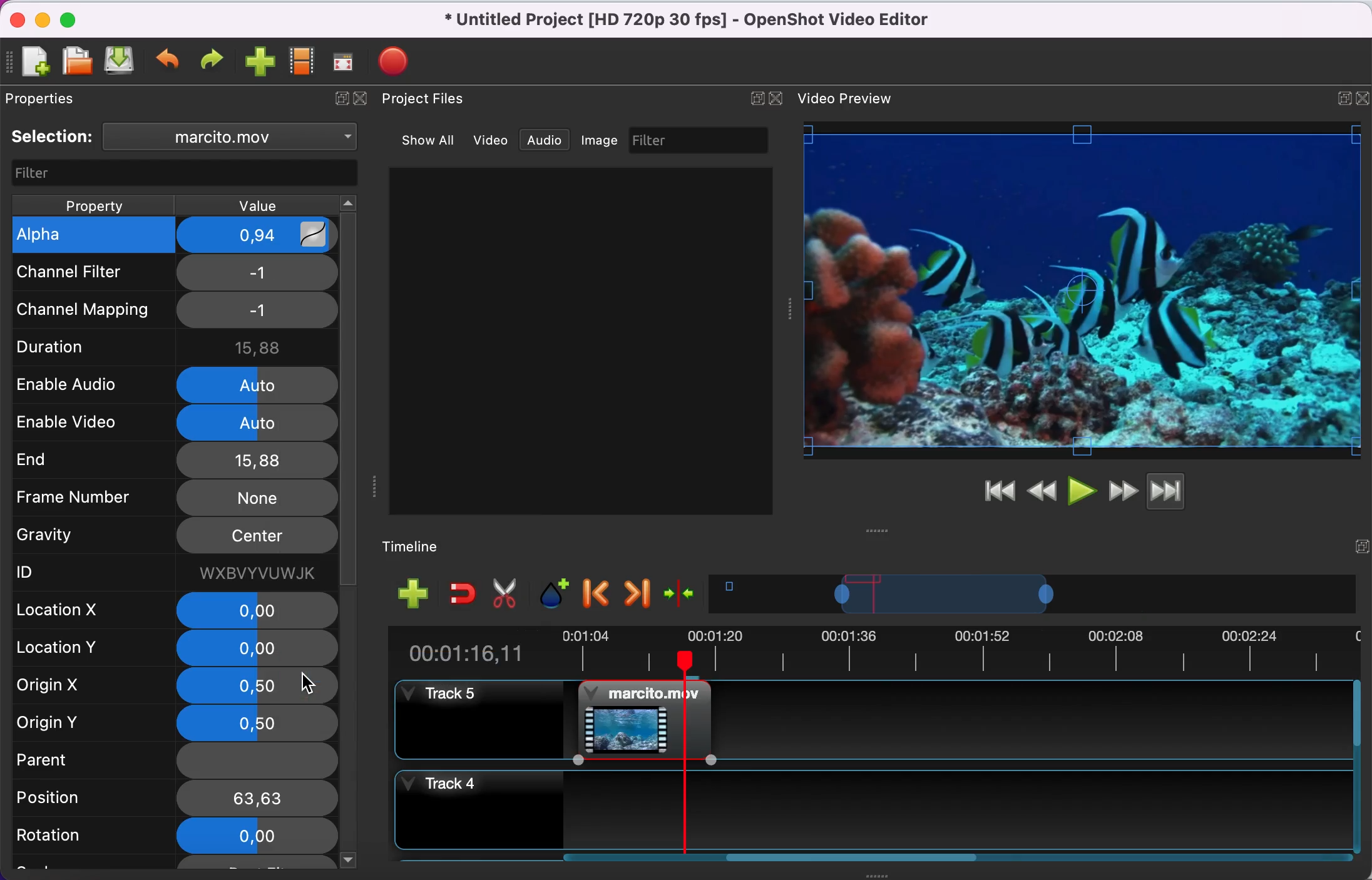 The image size is (1372, 880). Describe the element at coordinates (350, 859) in the screenshot. I see `move down` at that location.